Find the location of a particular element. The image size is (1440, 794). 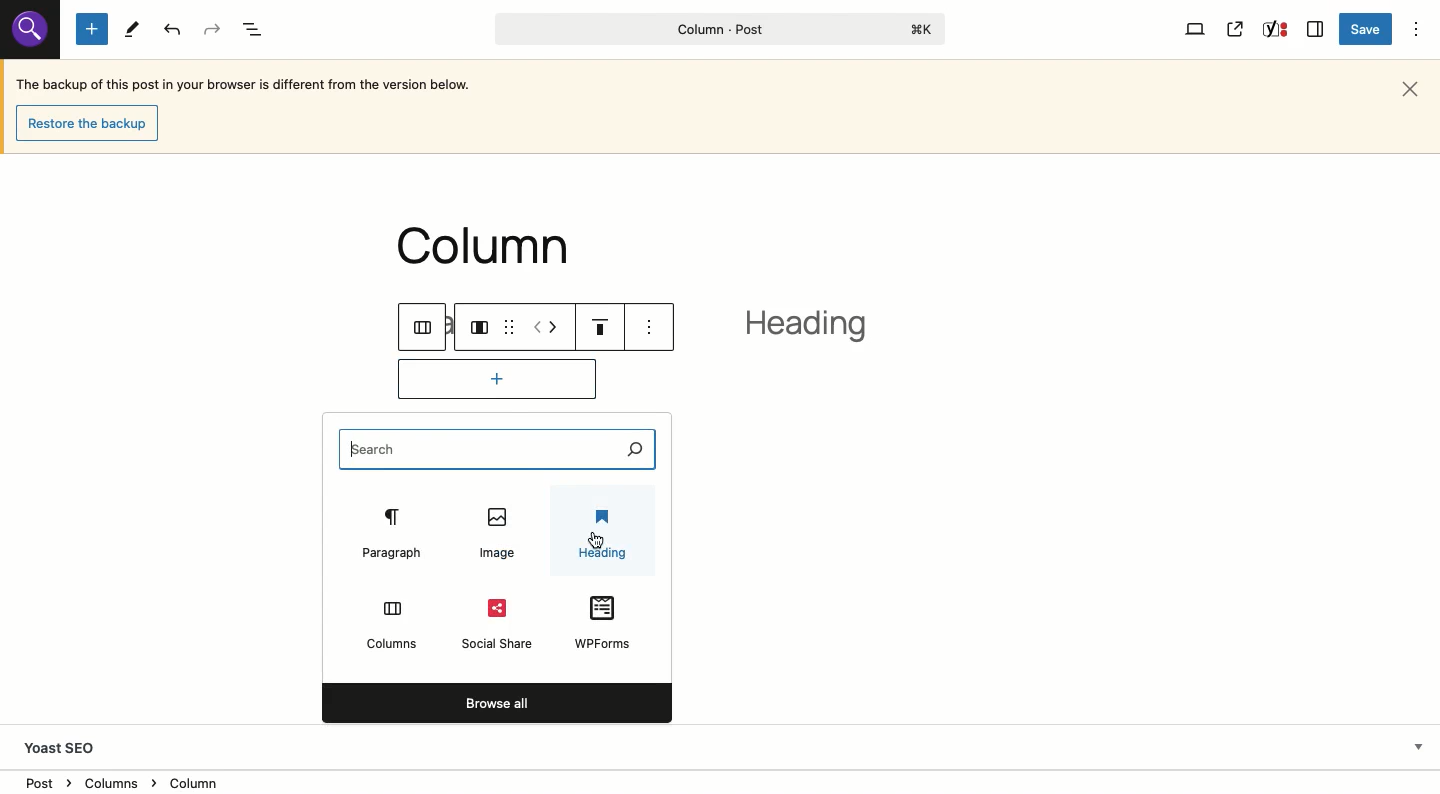

Column layout is located at coordinates (481, 326).